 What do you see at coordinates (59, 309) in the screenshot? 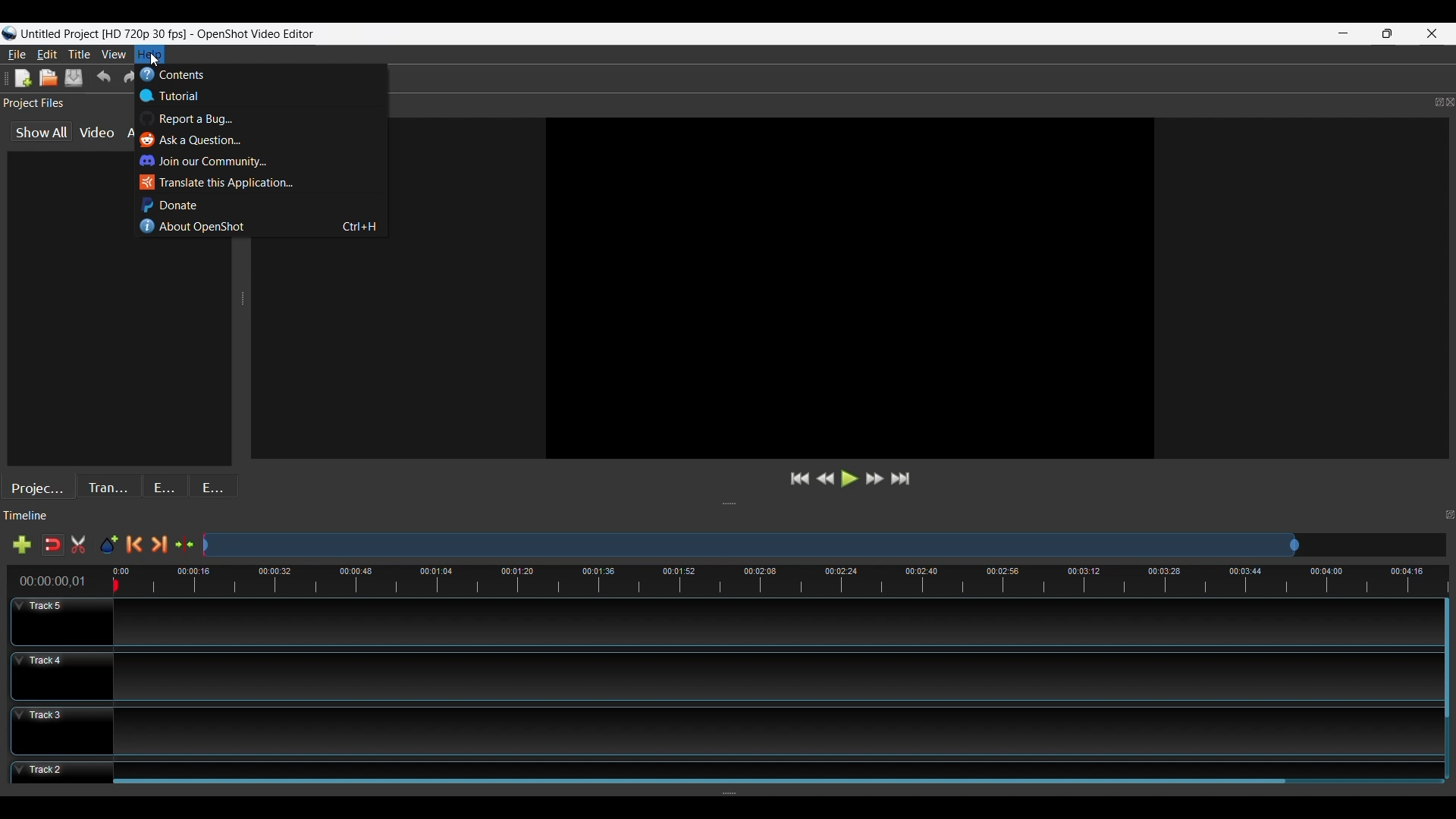
I see `Project Files tab` at bounding box center [59, 309].